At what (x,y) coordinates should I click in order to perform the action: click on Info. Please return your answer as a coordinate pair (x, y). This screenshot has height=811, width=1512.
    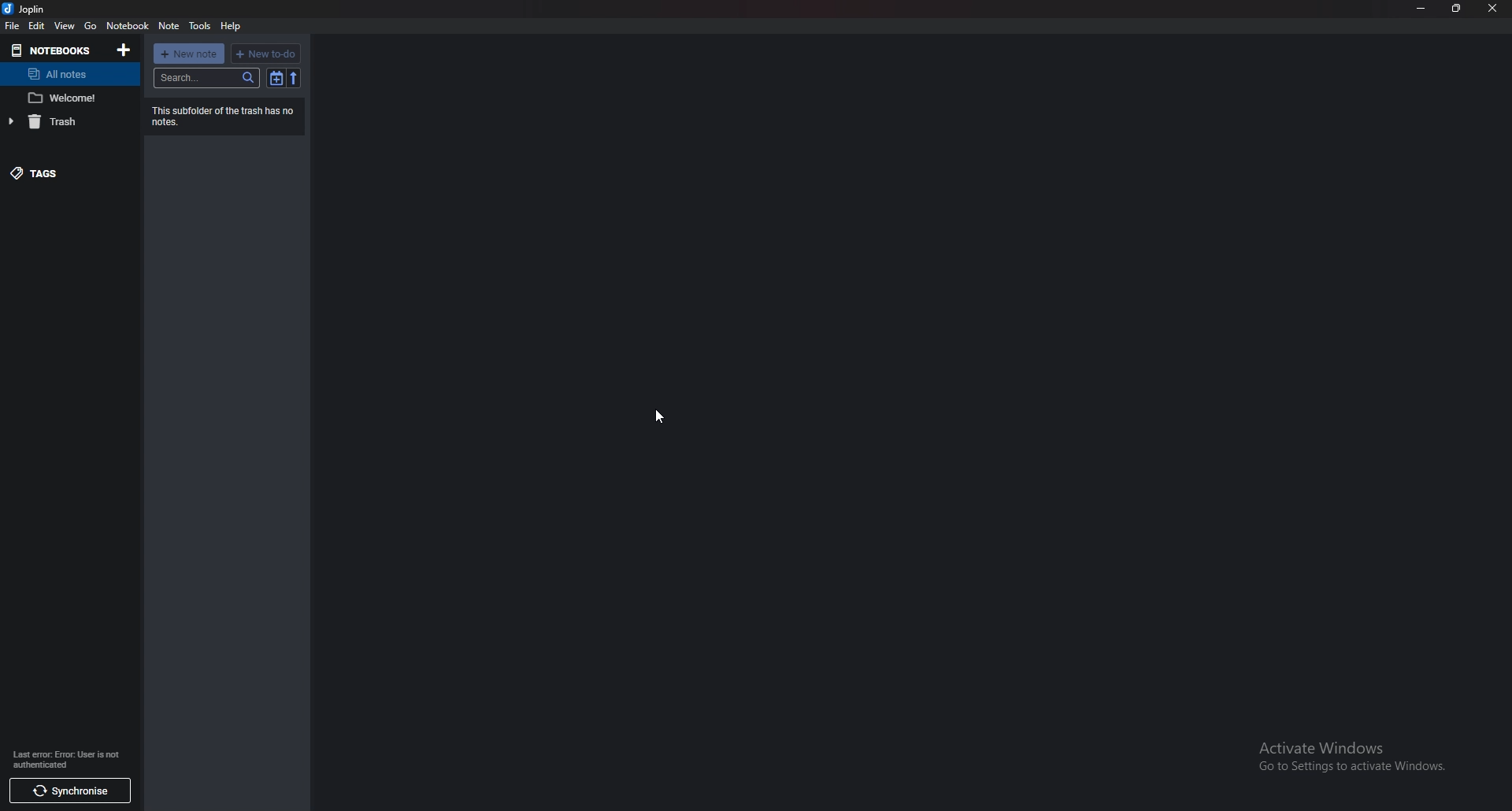
    Looking at the image, I should click on (222, 117).